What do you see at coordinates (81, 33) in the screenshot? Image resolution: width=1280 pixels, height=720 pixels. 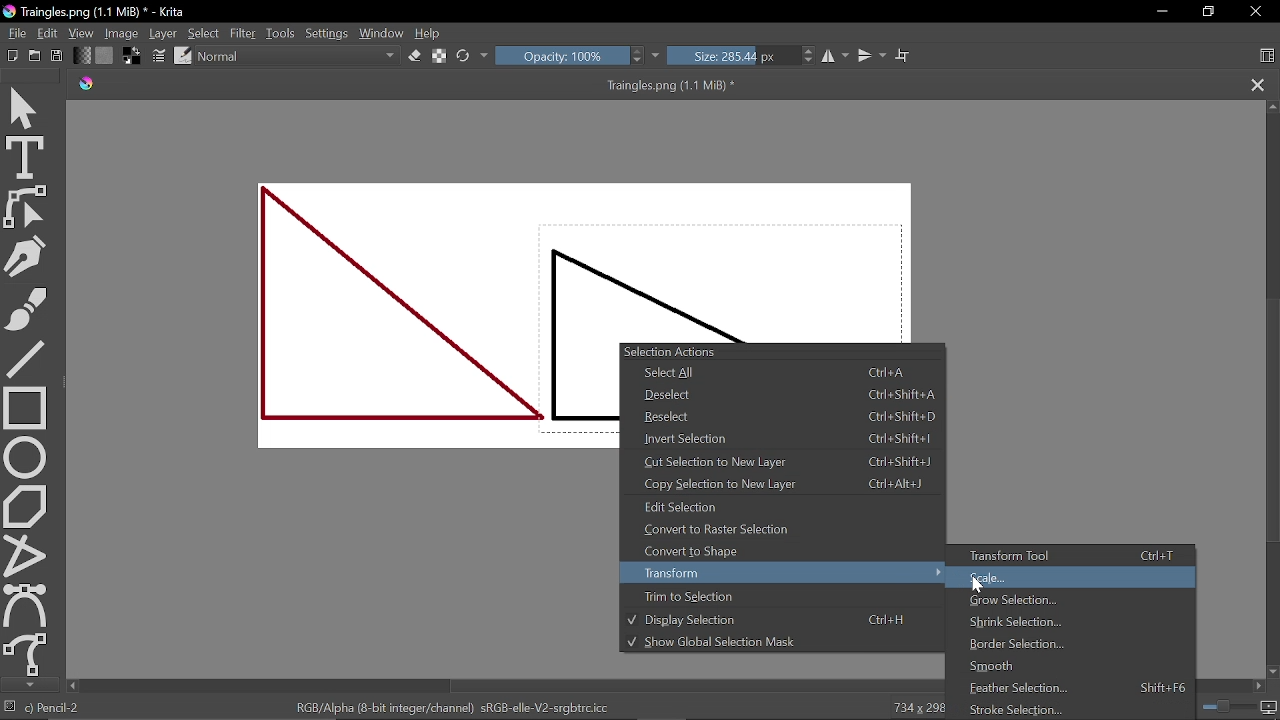 I see `View` at bounding box center [81, 33].